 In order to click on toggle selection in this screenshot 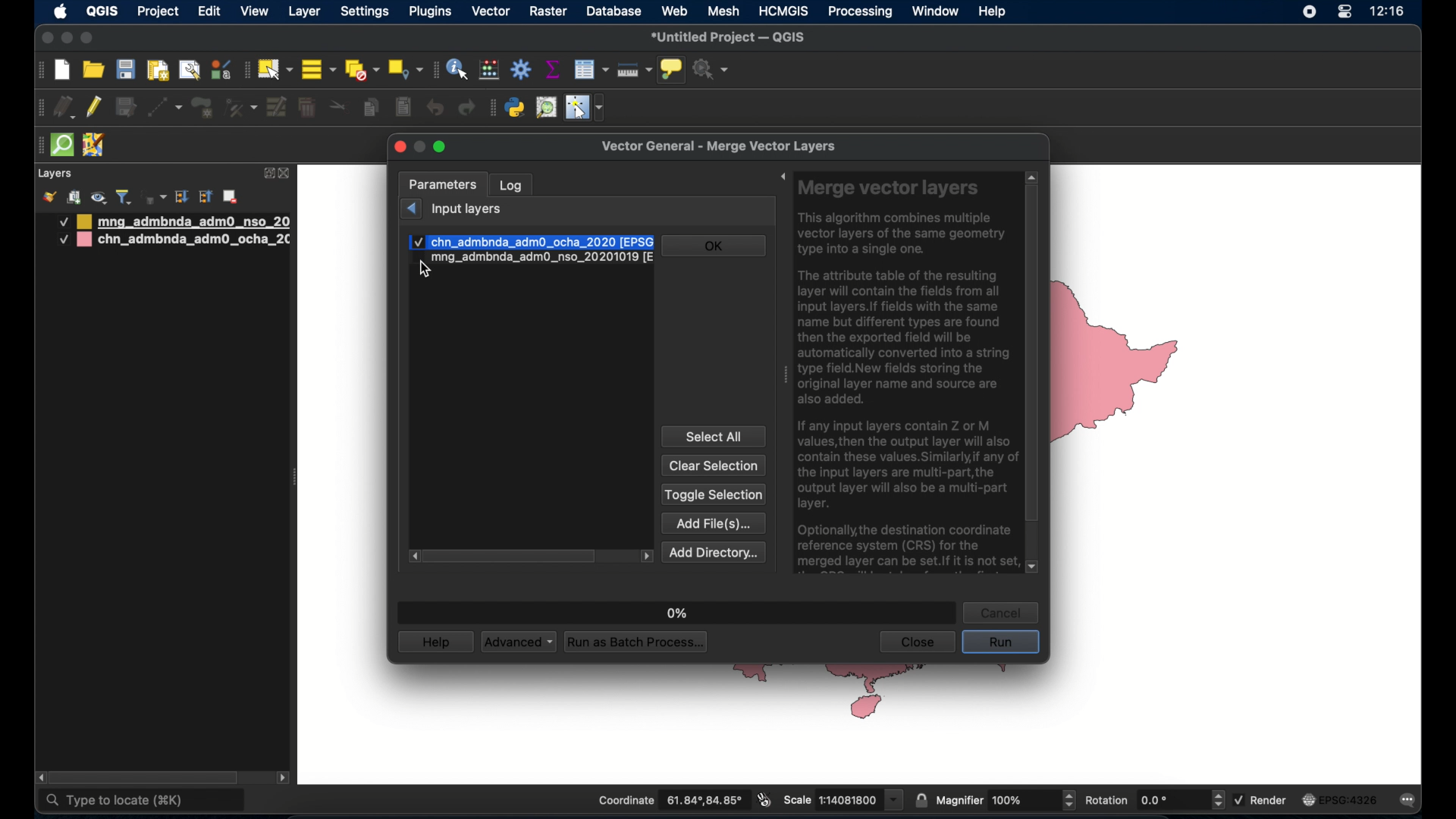, I will do `click(714, 495)`.